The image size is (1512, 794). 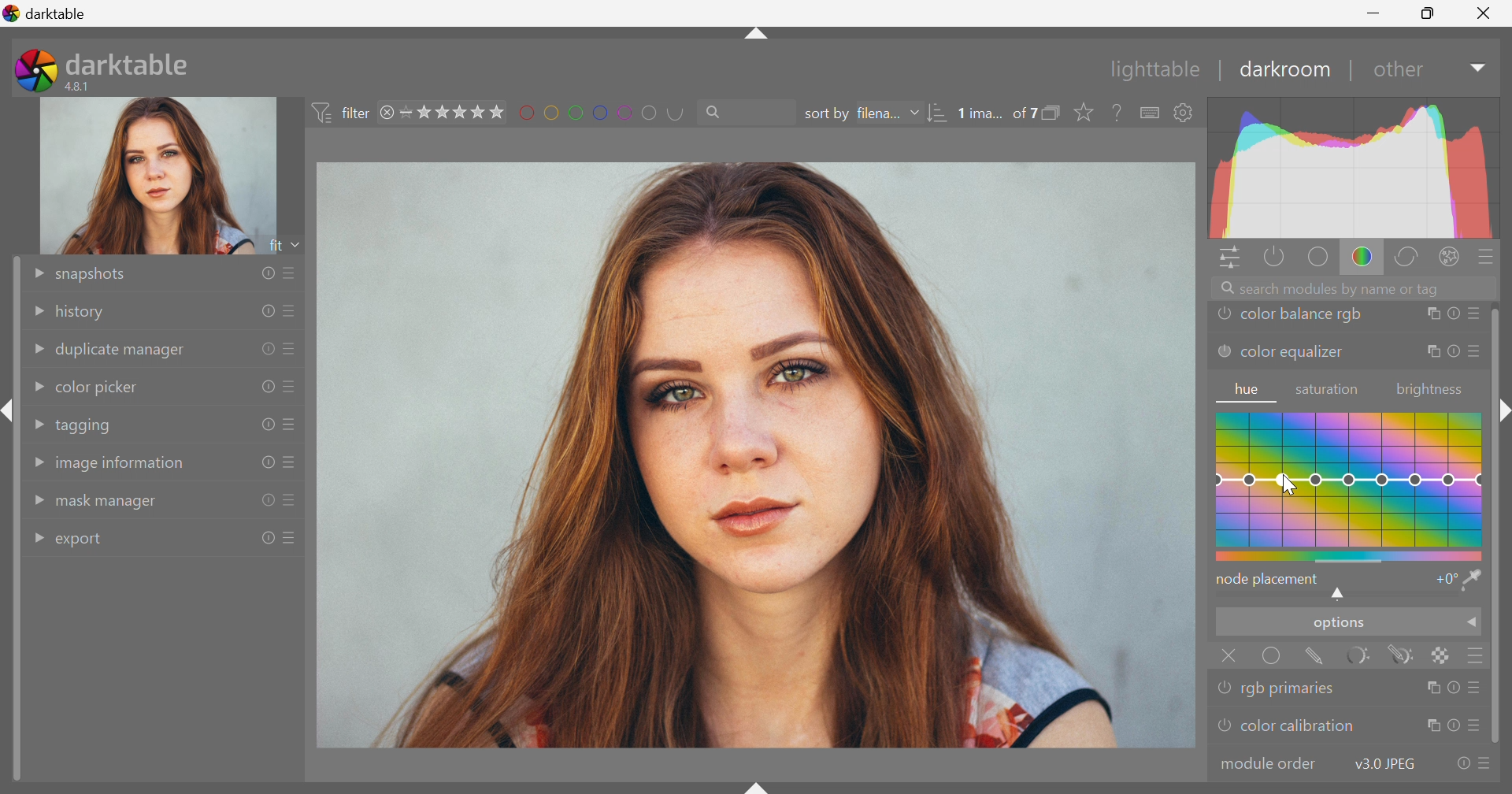 What do you see at coordinates (12, 13) in the screenshot?
I see `logo` at bounding box center [12, 13].